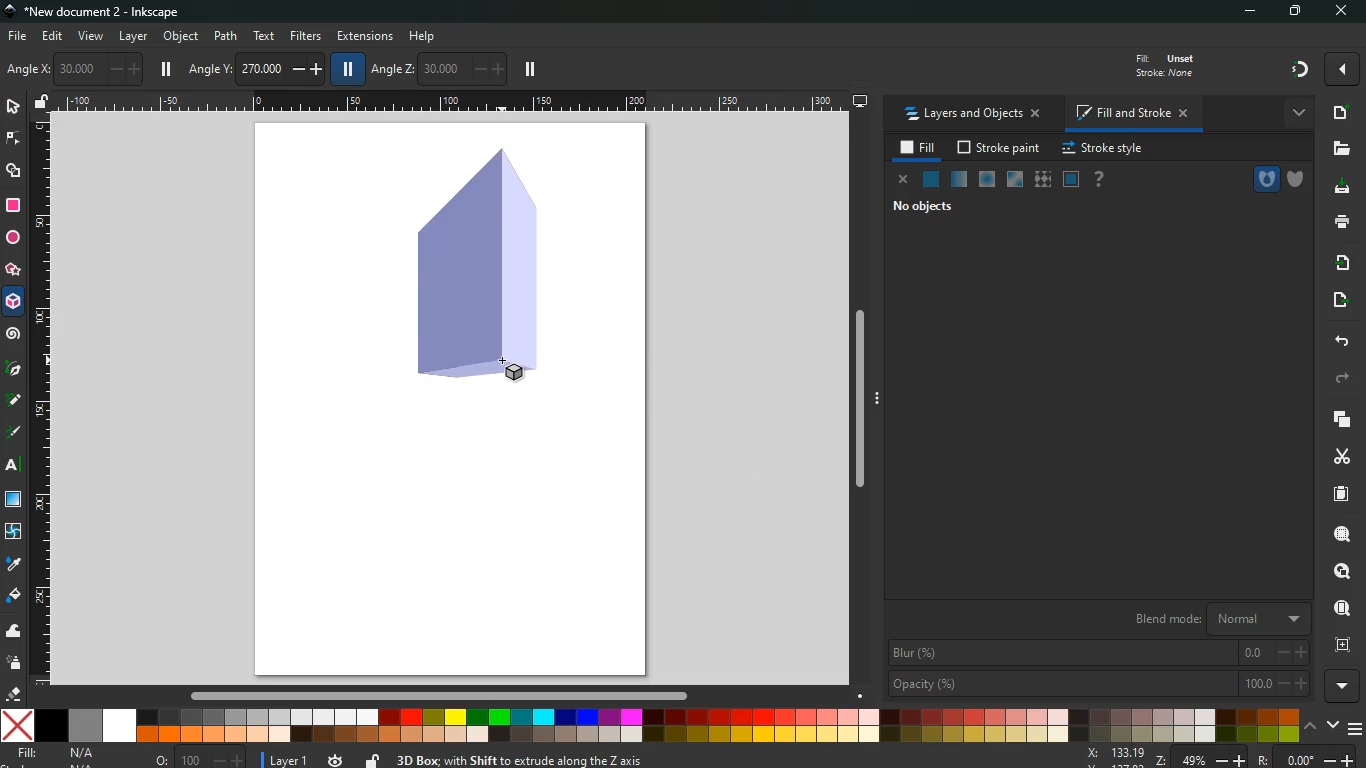  I want to click on shield, so click(1299, 180).